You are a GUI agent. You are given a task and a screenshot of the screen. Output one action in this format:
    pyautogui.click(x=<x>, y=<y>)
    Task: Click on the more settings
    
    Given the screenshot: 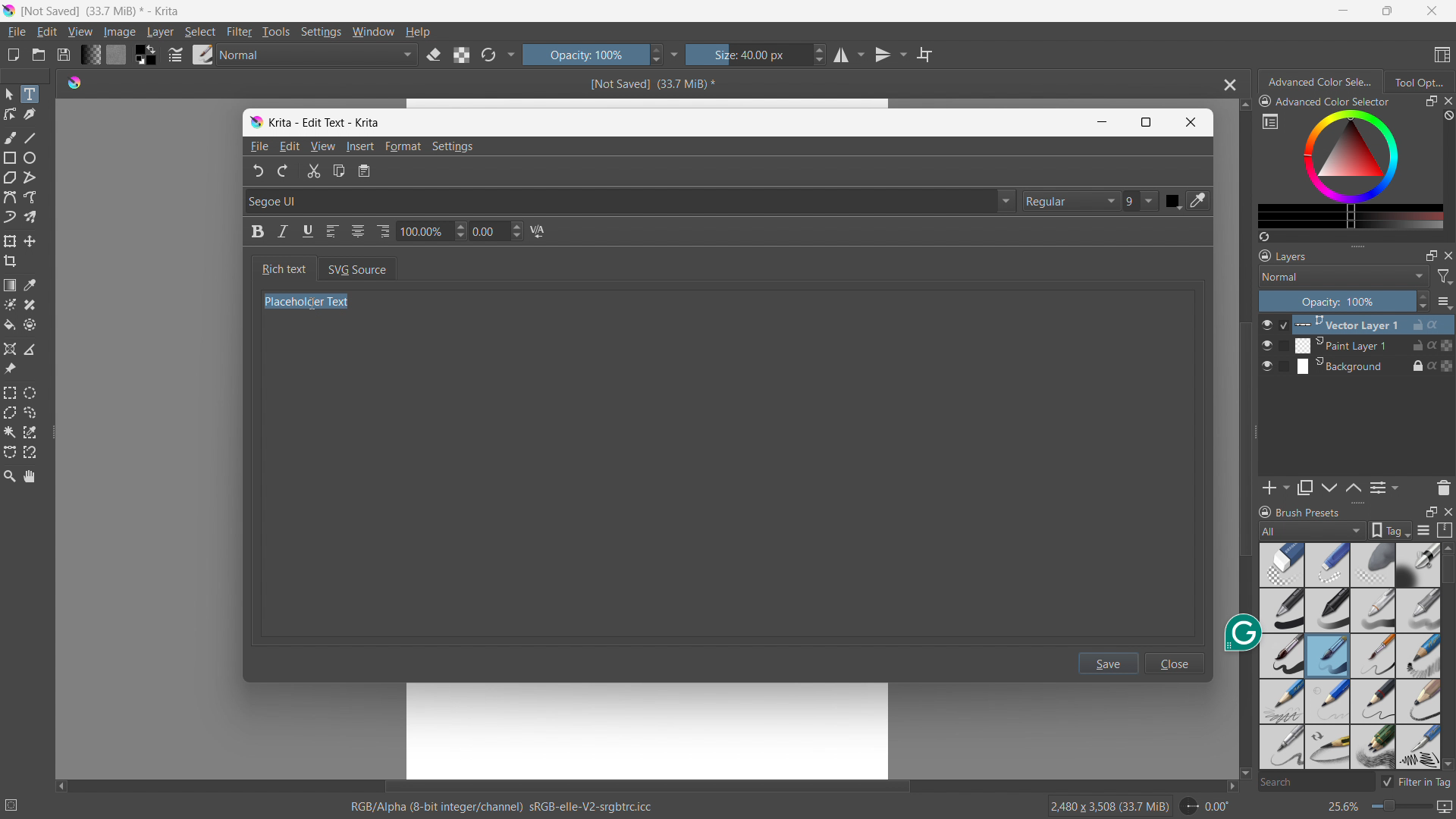 What is the action you would take?
    pyautogui.click(x=675, y=54)
    